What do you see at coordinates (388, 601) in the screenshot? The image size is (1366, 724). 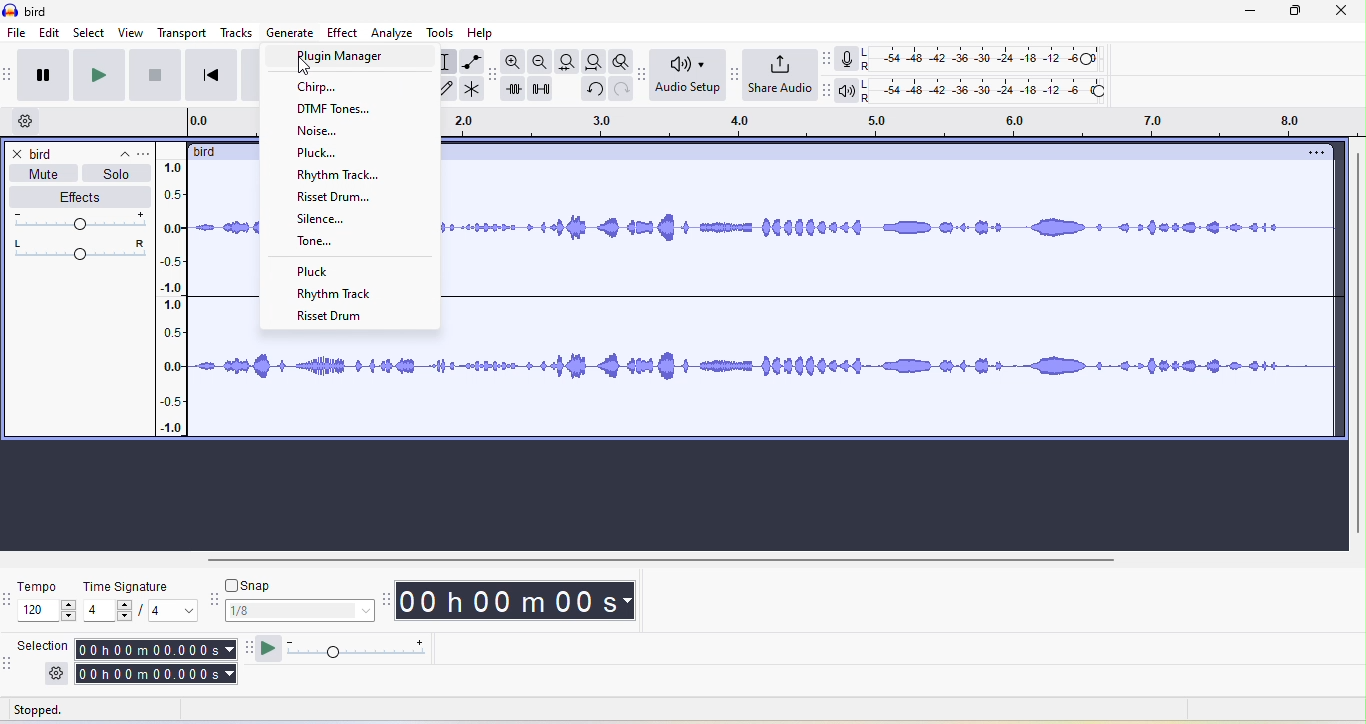 I see `audacity time toolbar` at bounding box center [388, 601].